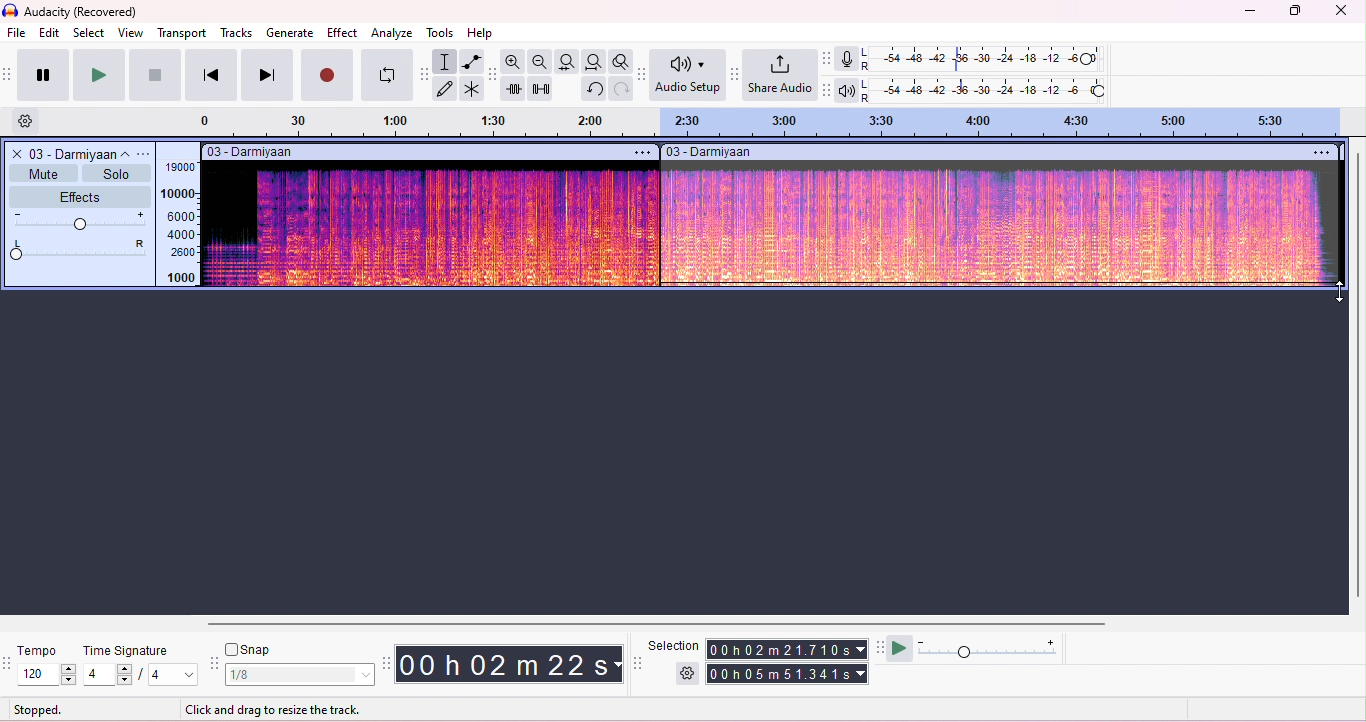 This screenshot has height=722, width=1366. What do you see at coordinates (736, 74) in the screenshot?
I see `share audio tool bar` at bounding box center [736, 74].